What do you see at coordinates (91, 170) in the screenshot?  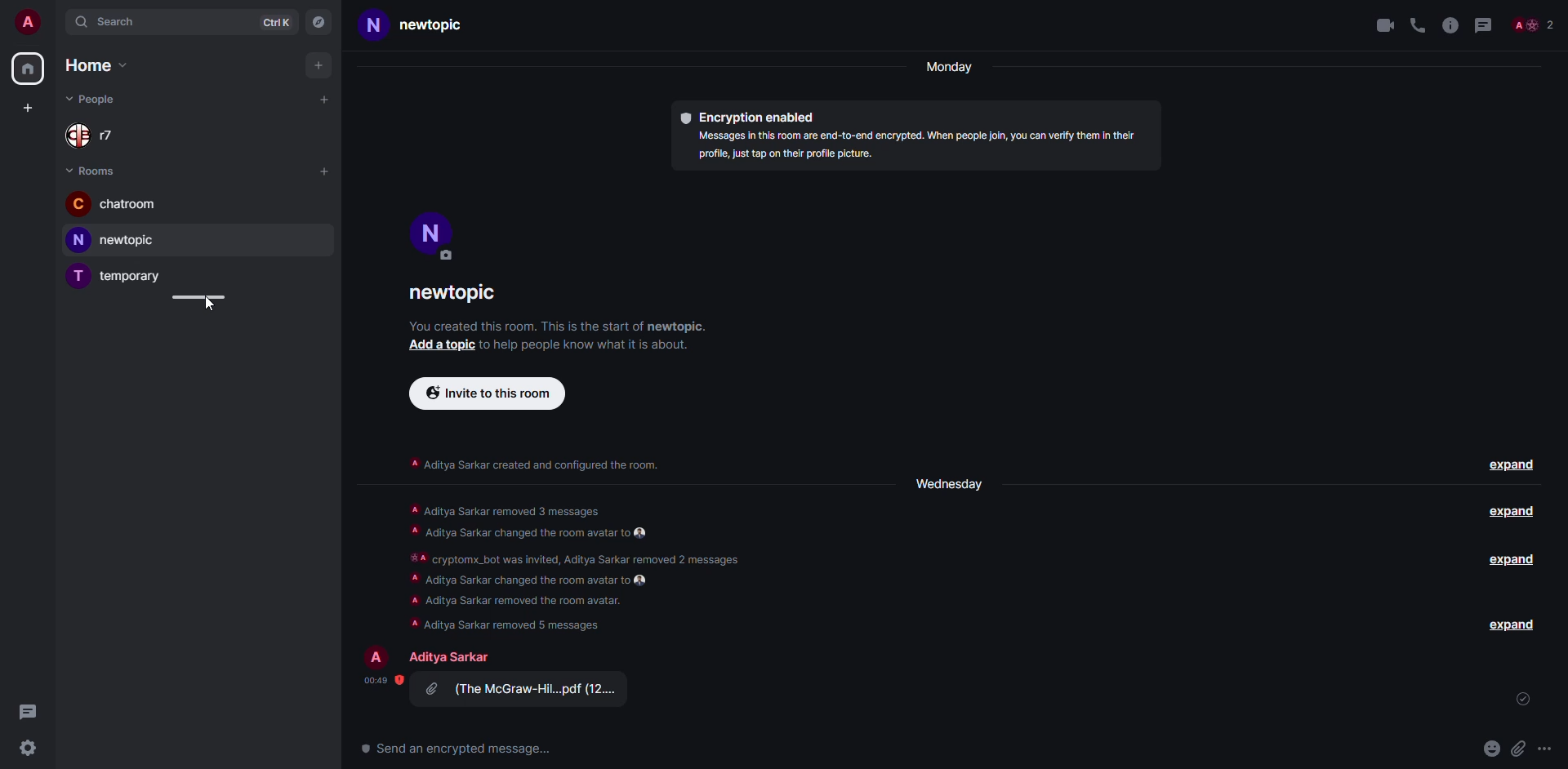 I see `rooms` at bounding box center [91, 170].